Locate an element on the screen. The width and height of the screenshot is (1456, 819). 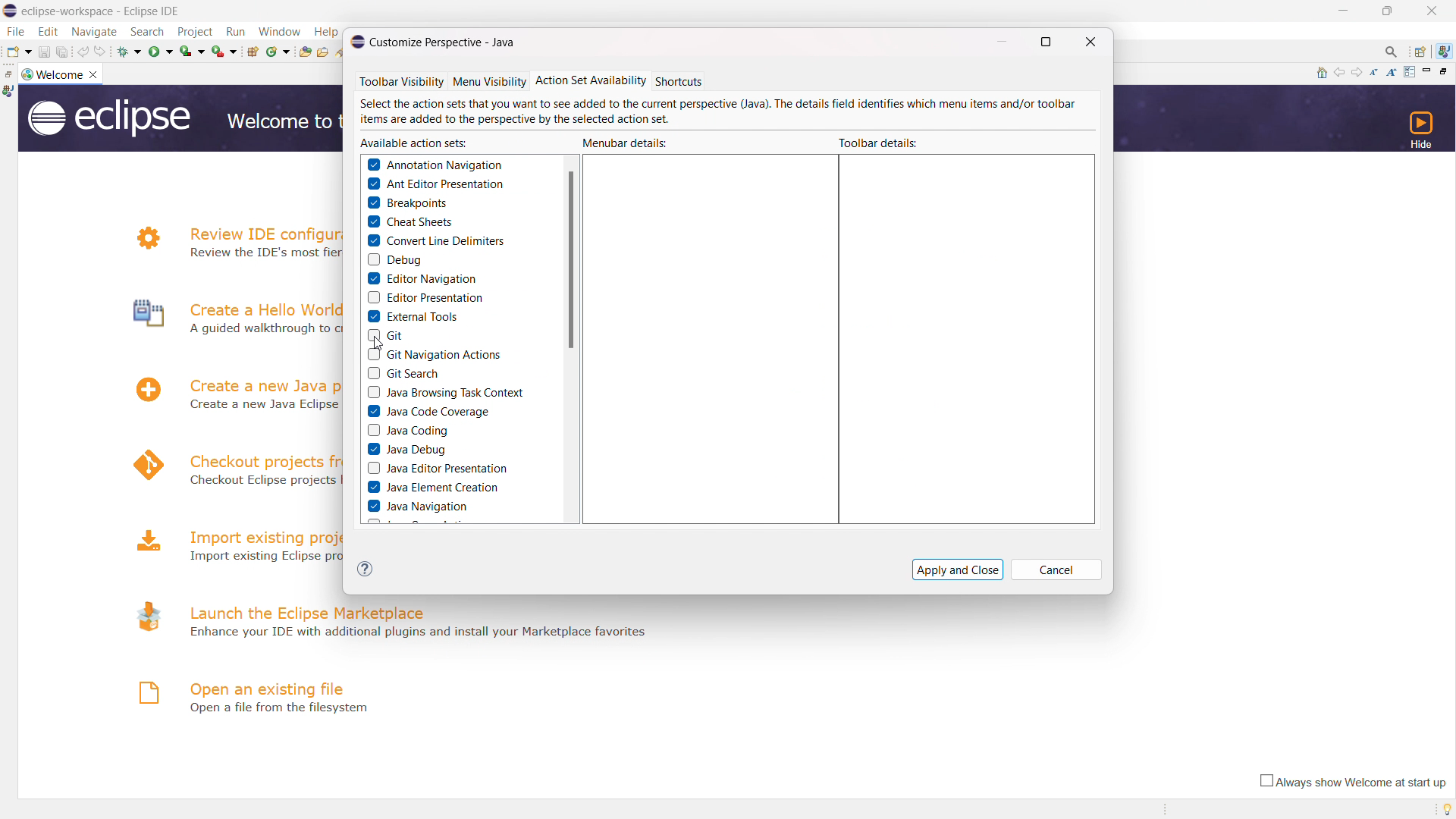
minimize is located at coordinates (1341, 11).